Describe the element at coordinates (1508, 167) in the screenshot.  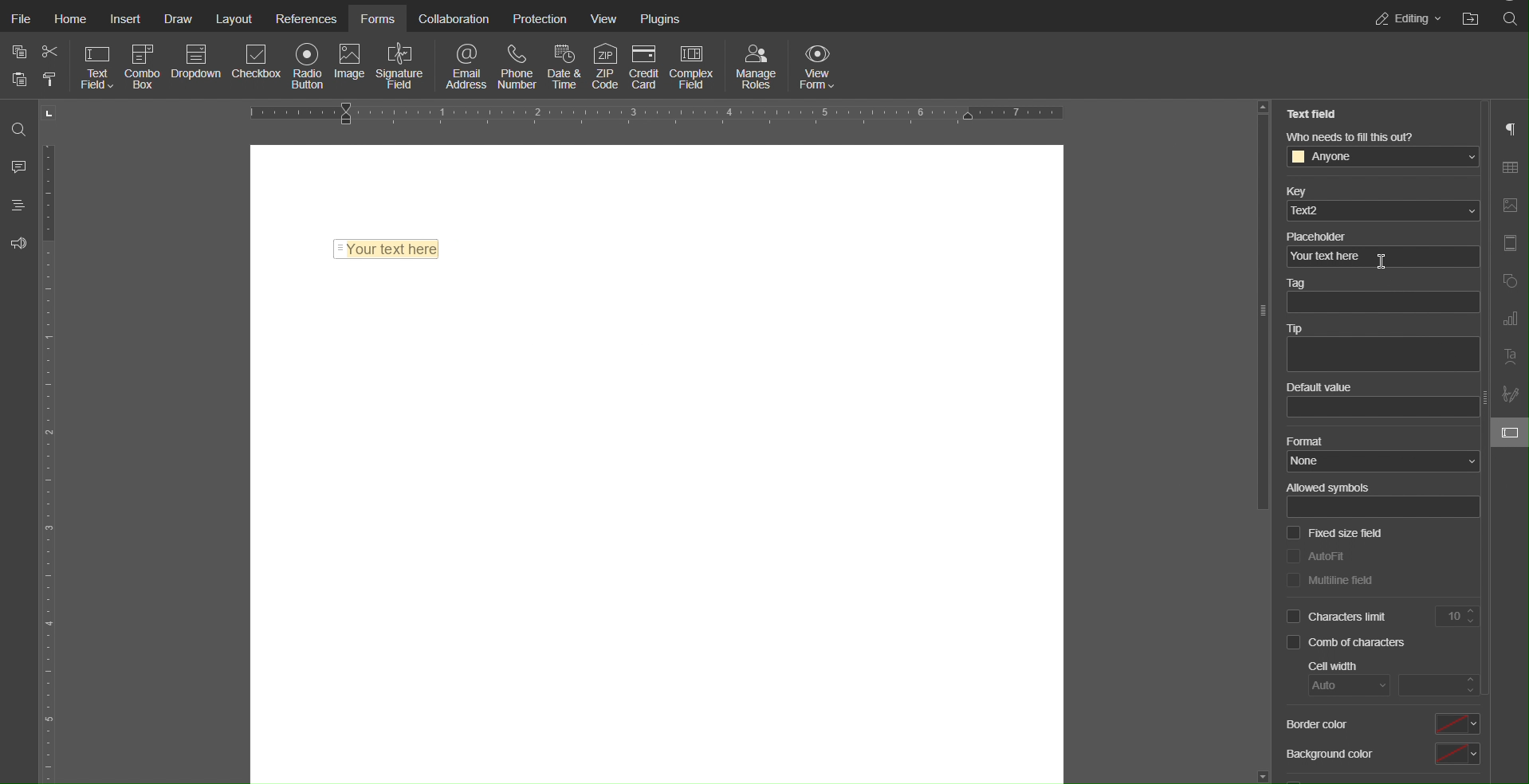
I see `Table Settings` at that location.